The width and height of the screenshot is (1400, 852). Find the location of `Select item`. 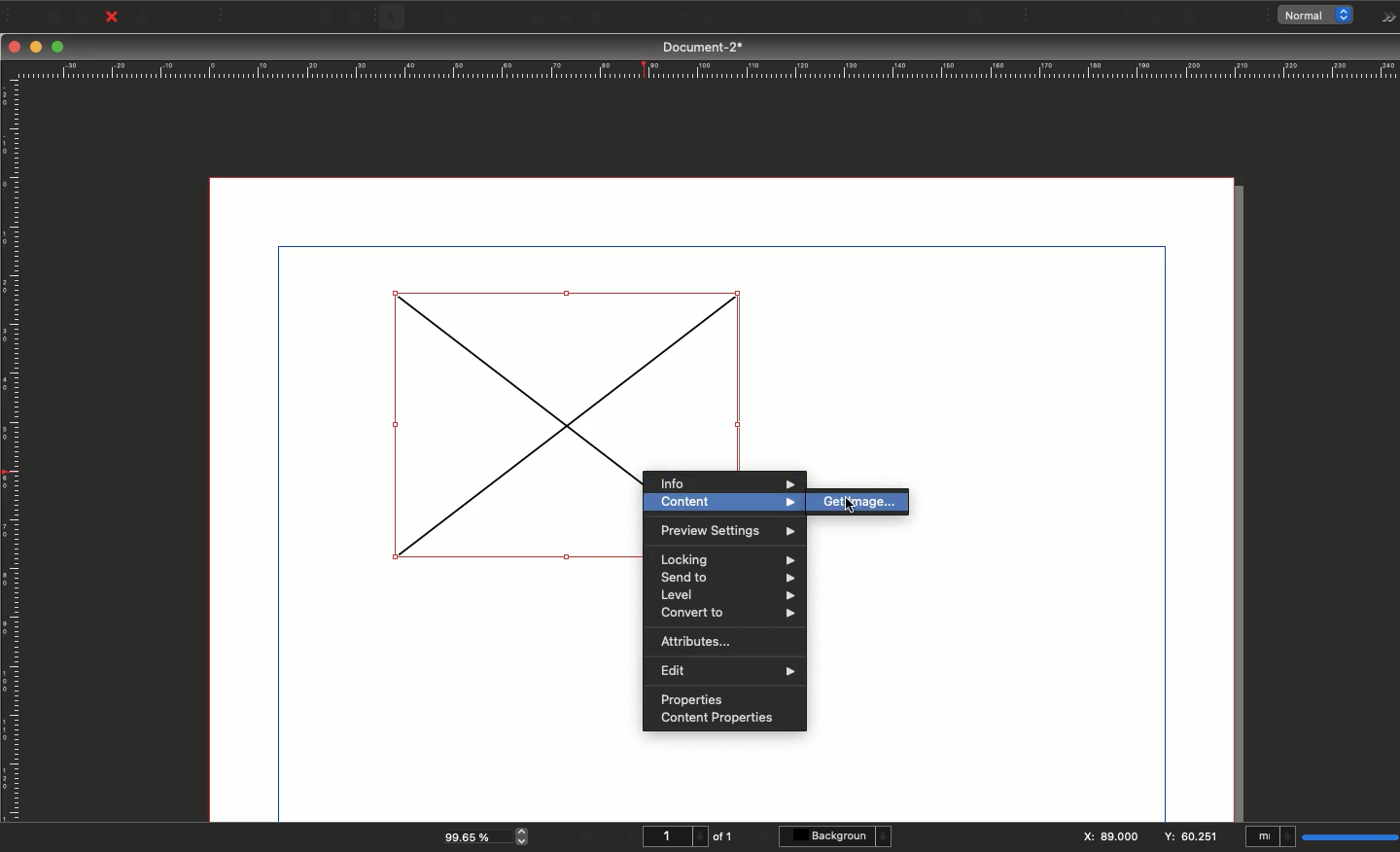

Select item is located at coordinates (393, 18).